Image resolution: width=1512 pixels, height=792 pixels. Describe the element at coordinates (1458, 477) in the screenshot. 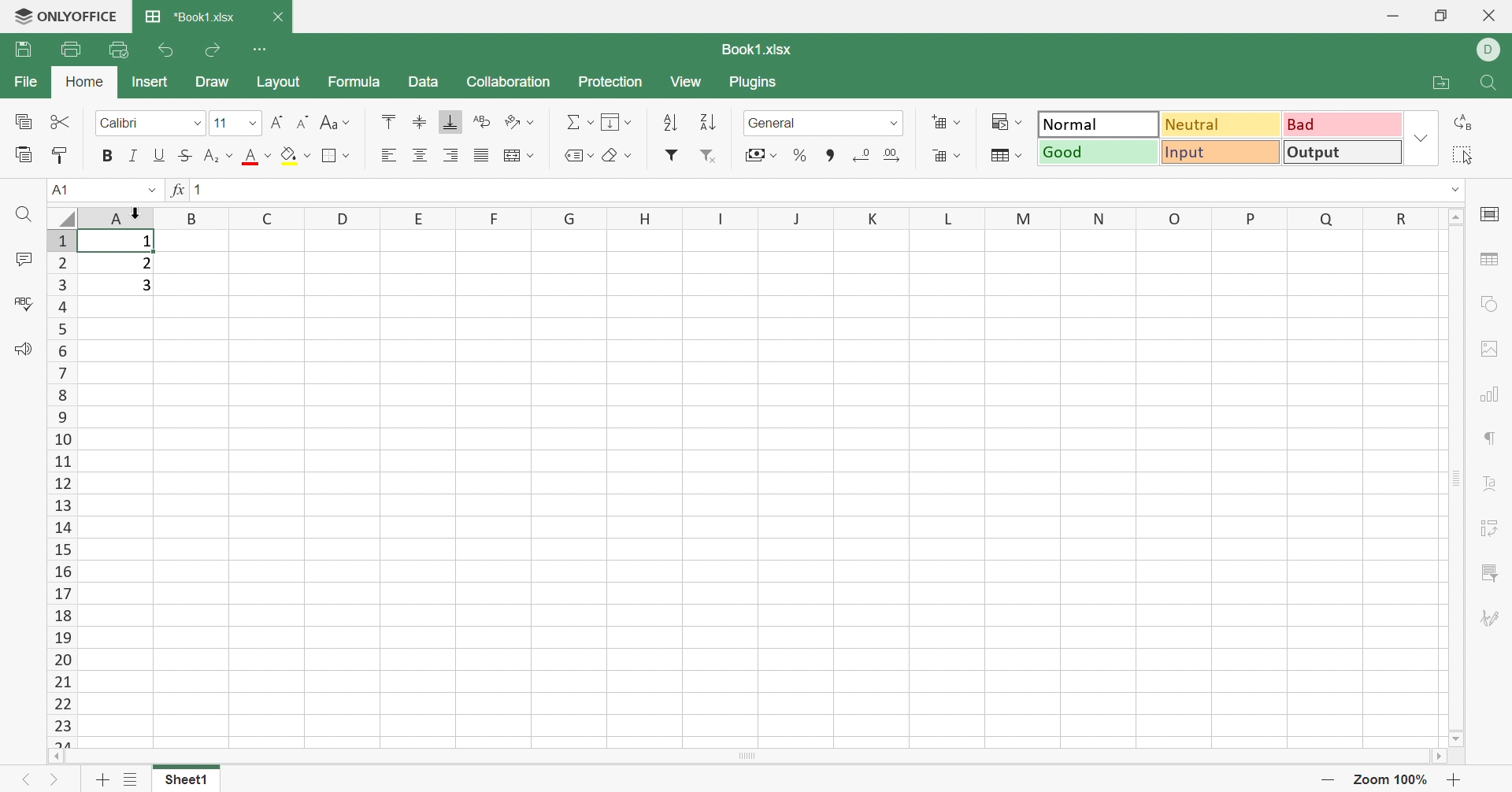

I see `Scroll bar` at that location.